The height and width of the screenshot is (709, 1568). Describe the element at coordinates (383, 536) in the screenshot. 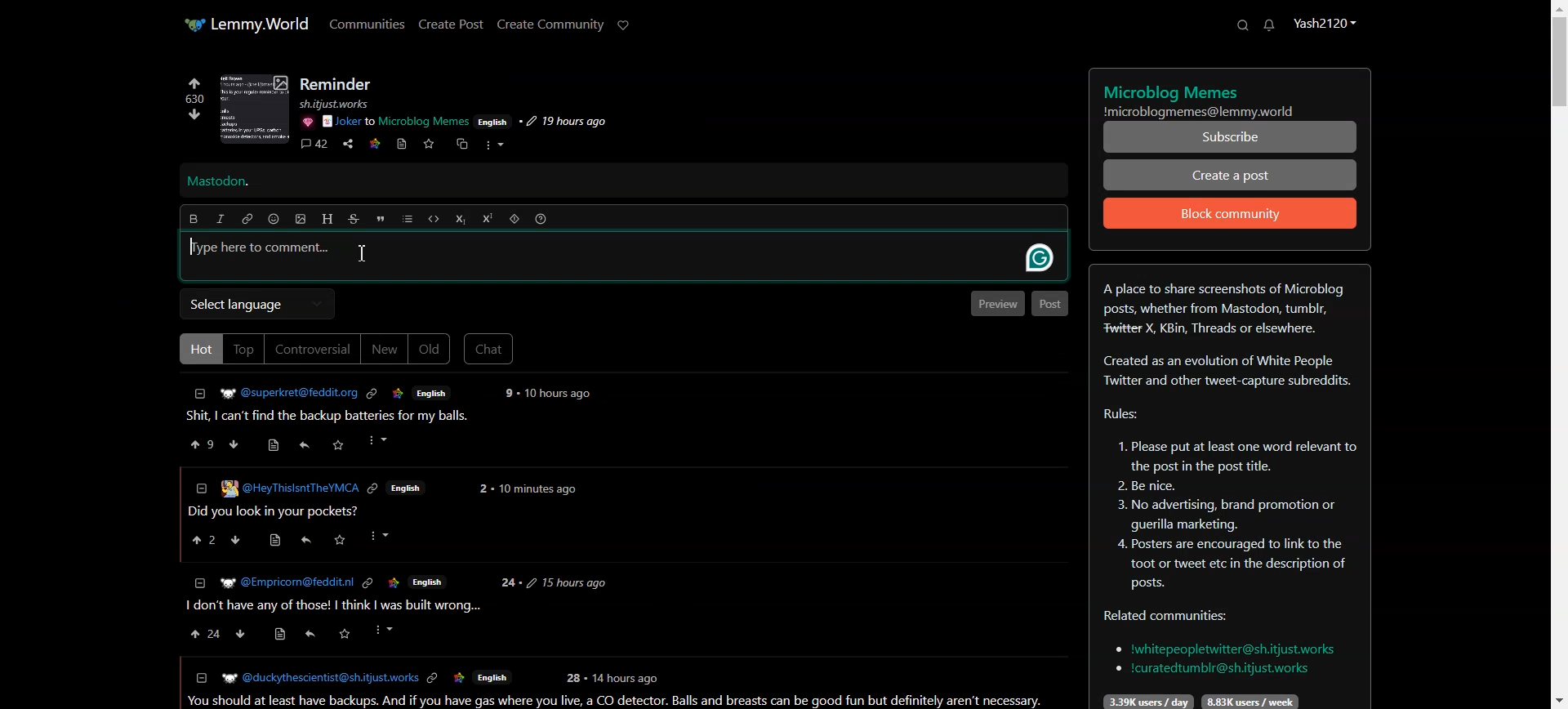

I see `` at that location.